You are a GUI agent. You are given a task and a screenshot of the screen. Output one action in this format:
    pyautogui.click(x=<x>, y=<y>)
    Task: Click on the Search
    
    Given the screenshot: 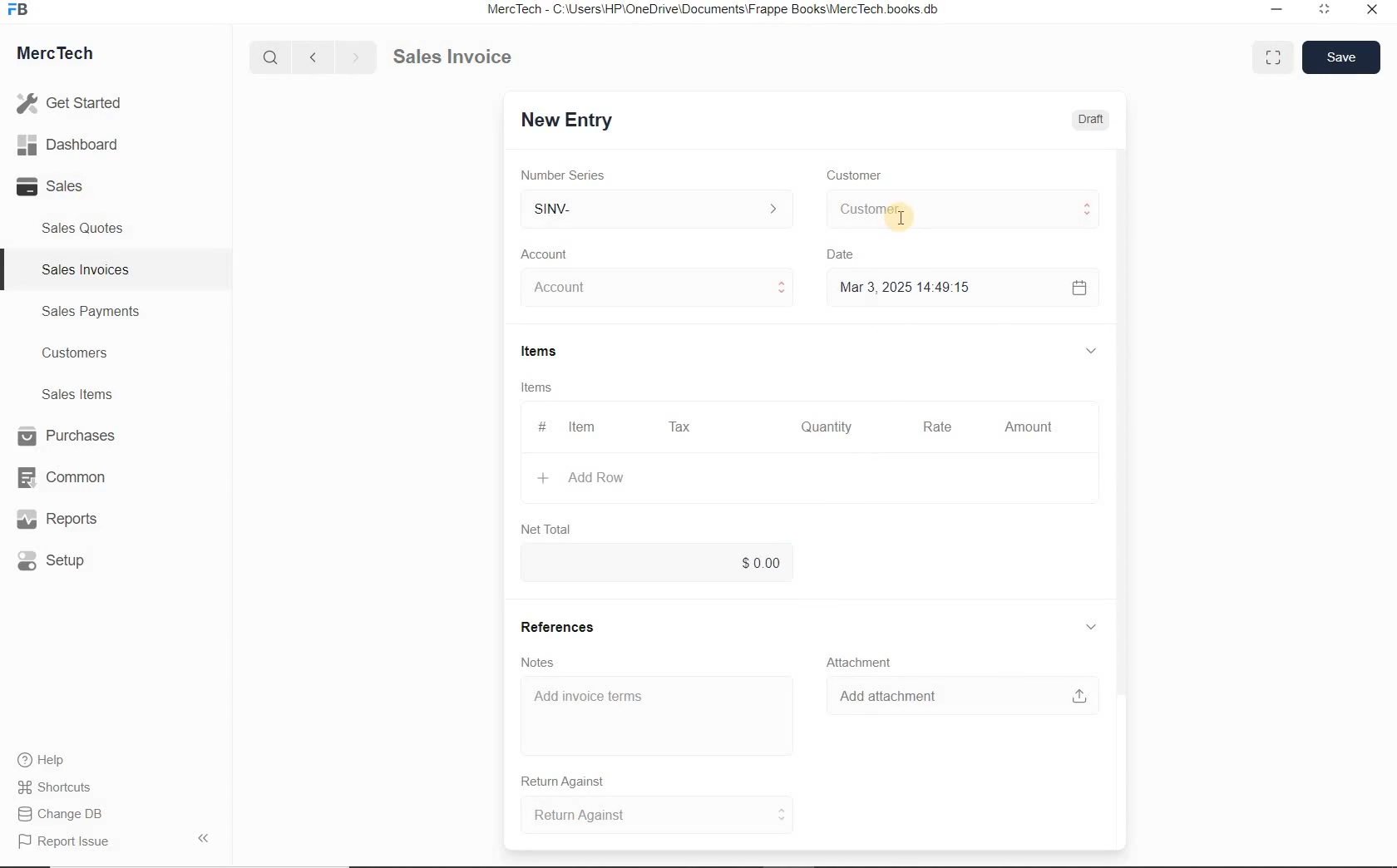 What is the action you would take?
    pyautogui.click(x=272, y=57)
    